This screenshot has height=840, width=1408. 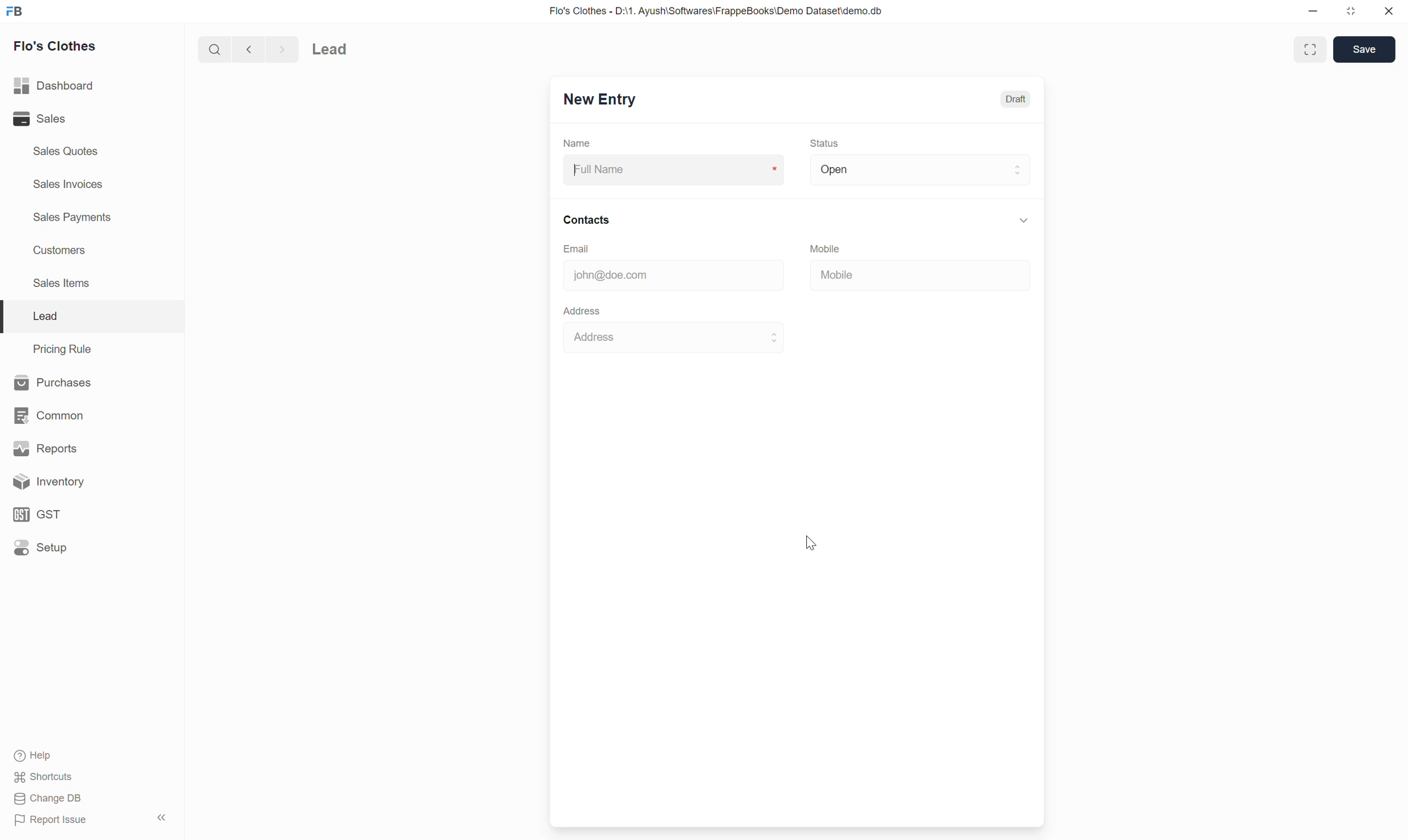 What do you see at coordinates (1366, 49) in the screenshot?
I see `save` at bounding box center [1366, 49].